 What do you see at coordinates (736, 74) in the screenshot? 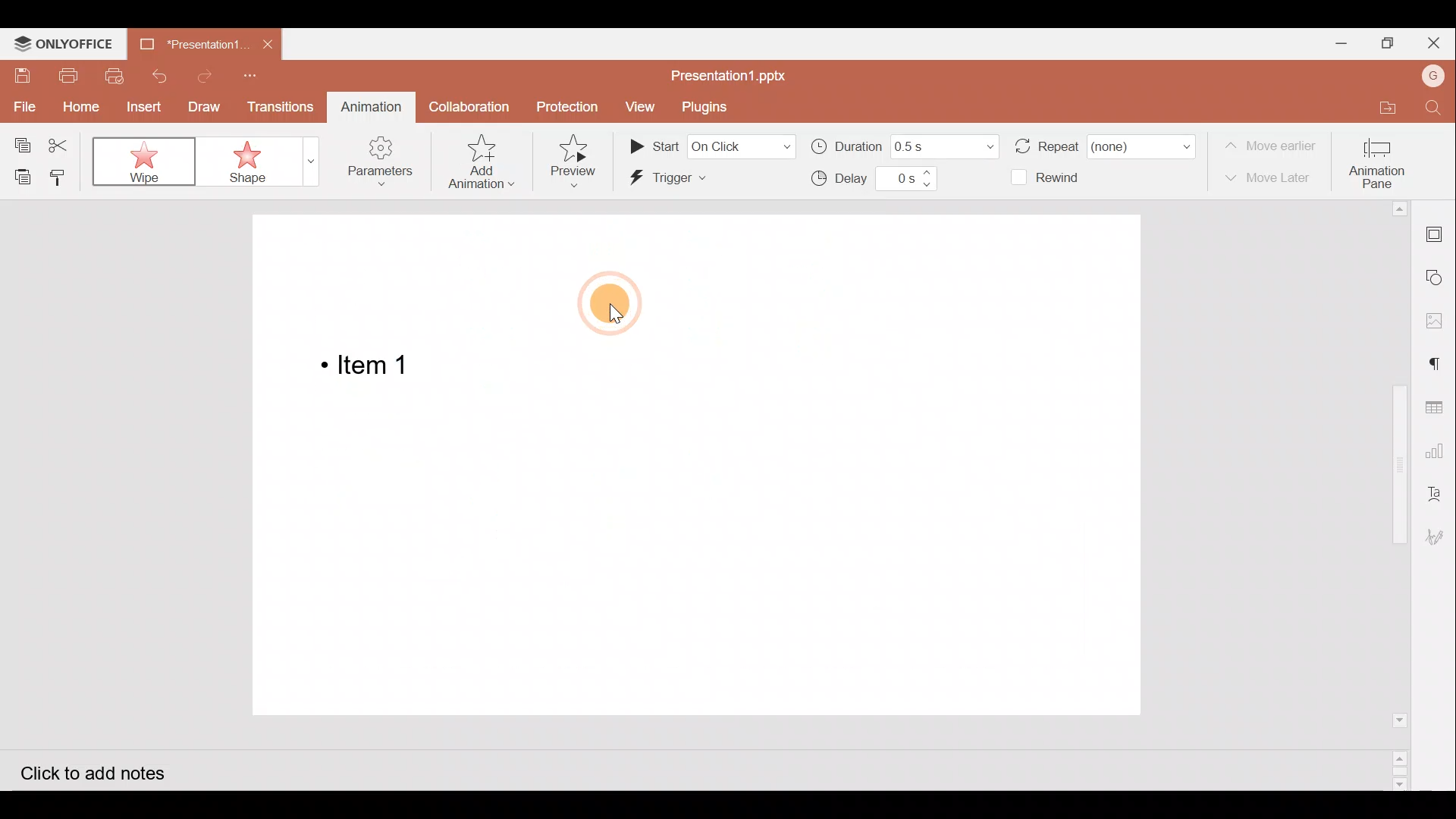
I see `Presentation1.pptx` at bounding box center [736, 74].